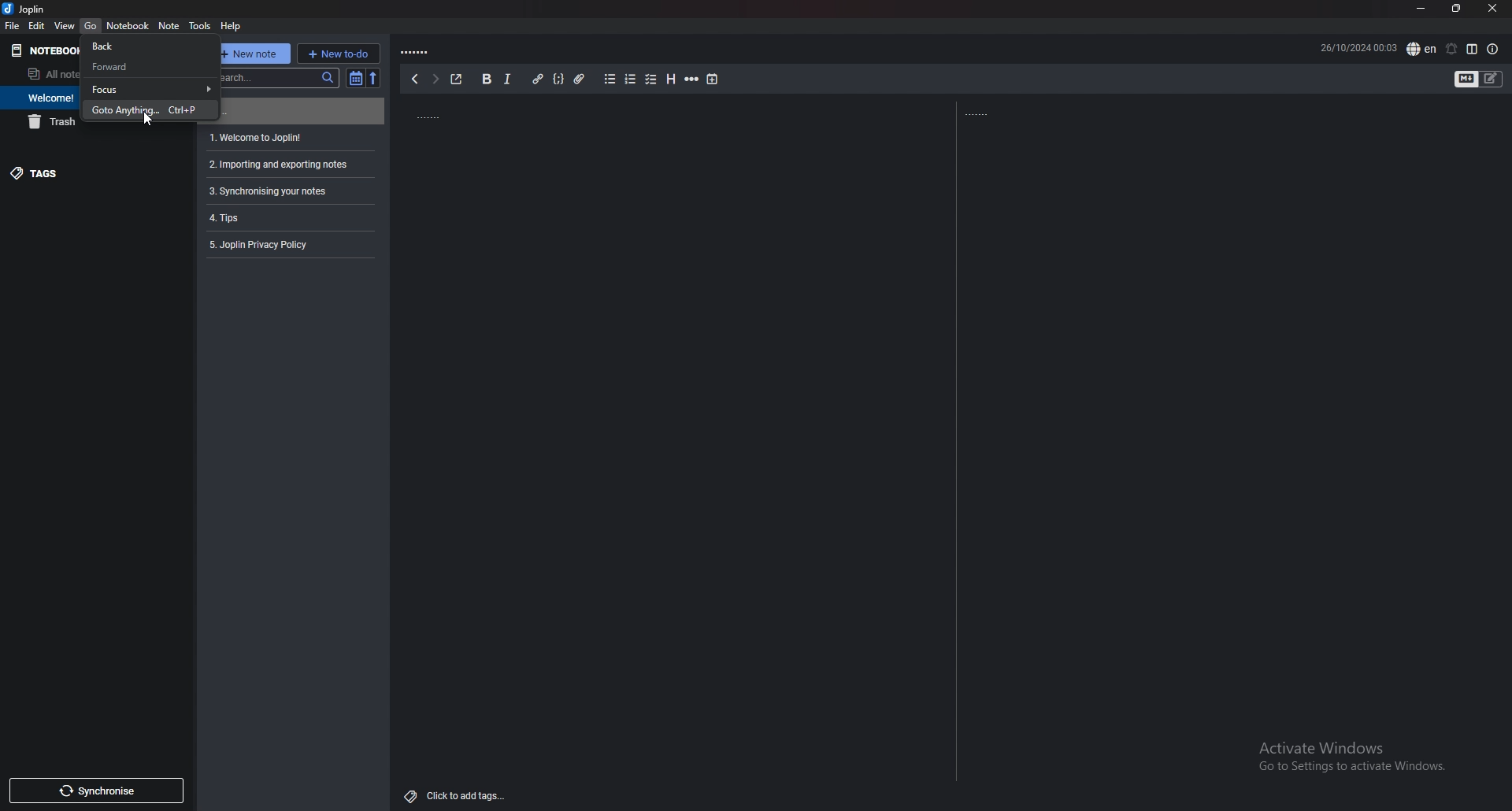 The height and width of the screenshot is (811, 1512). What do you see at coordinates (456, 79) in the screenshot?
I see `toggle external editing` at bounding box center [456, 79].